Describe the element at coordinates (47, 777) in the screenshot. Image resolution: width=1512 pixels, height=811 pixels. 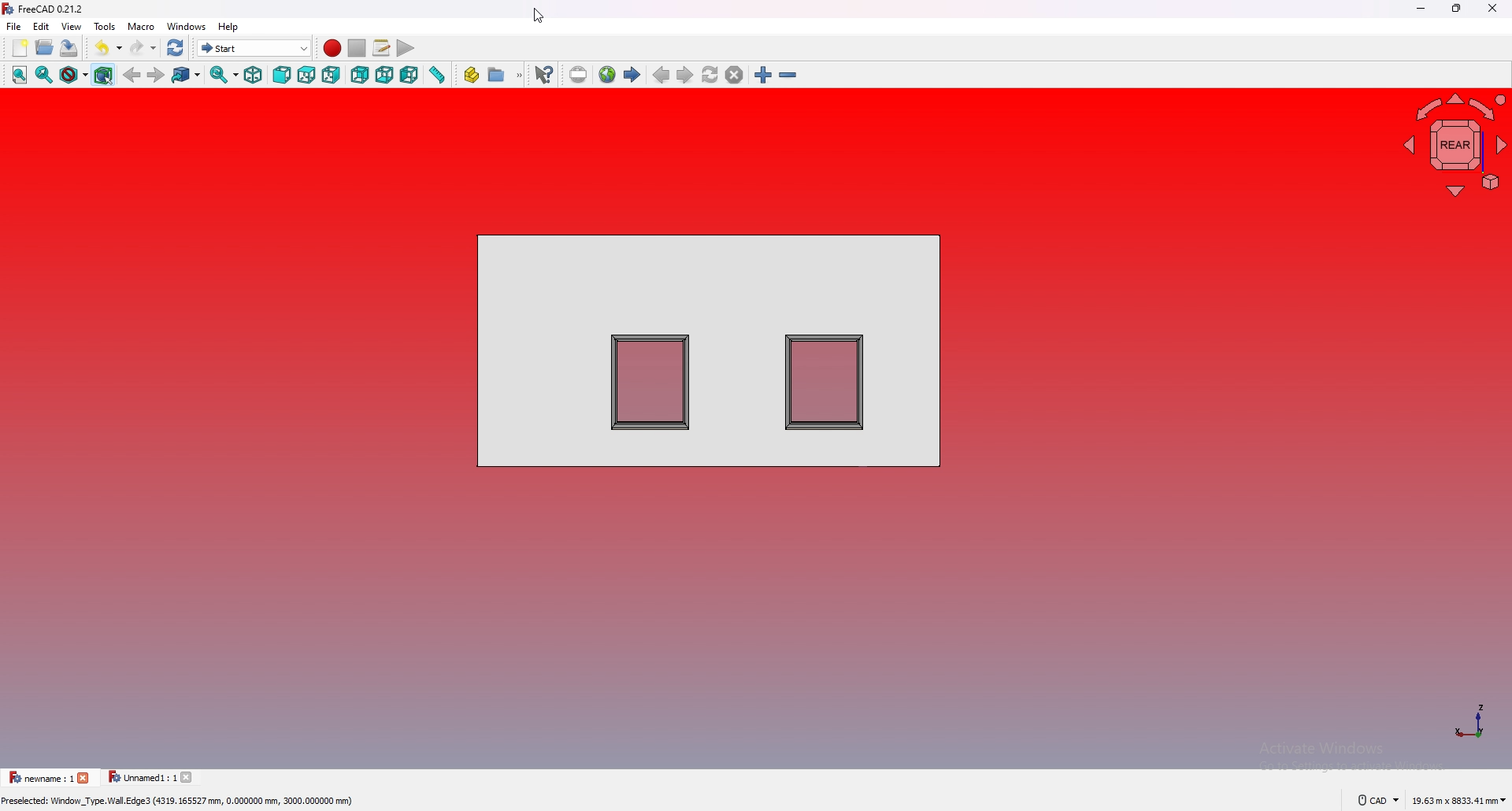
I see `tab 1` at that location.